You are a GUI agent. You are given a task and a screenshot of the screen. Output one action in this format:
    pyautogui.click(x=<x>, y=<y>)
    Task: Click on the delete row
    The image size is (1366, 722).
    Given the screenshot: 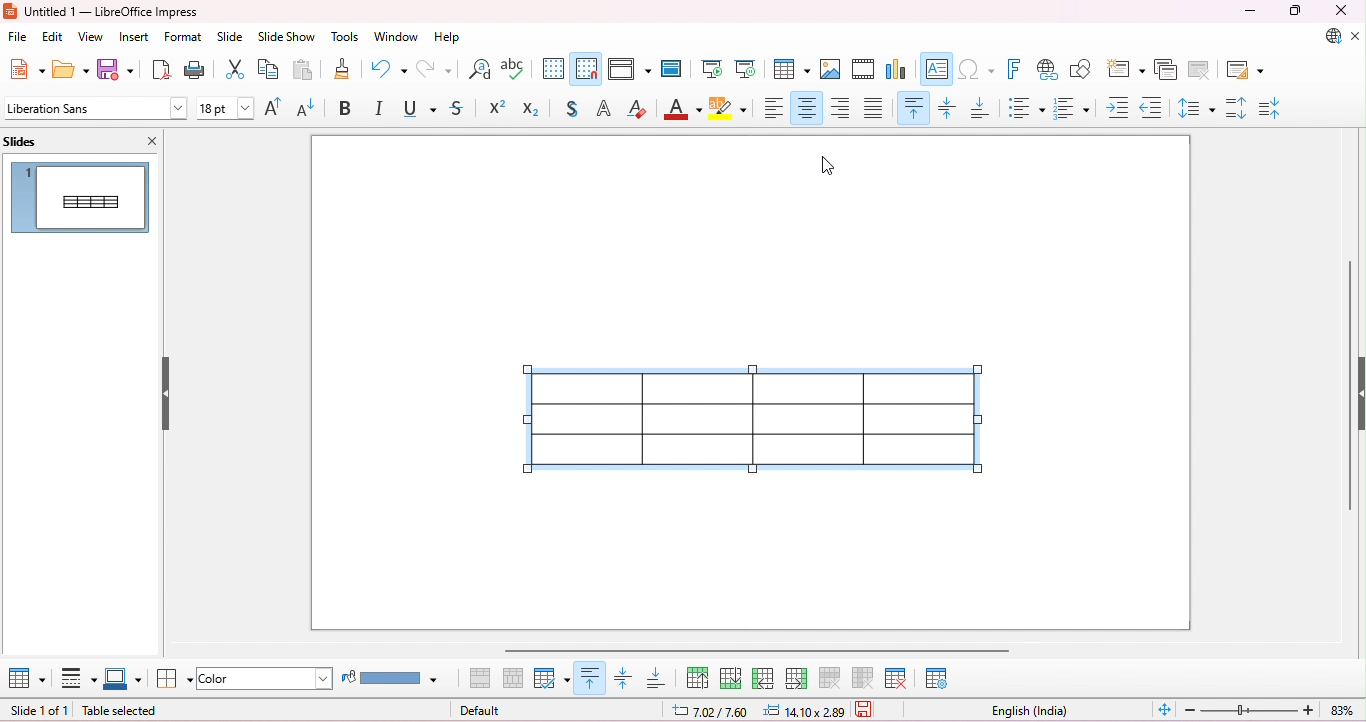 What is the action you would take?
    pyautogui.click(x=829, y=677)
    